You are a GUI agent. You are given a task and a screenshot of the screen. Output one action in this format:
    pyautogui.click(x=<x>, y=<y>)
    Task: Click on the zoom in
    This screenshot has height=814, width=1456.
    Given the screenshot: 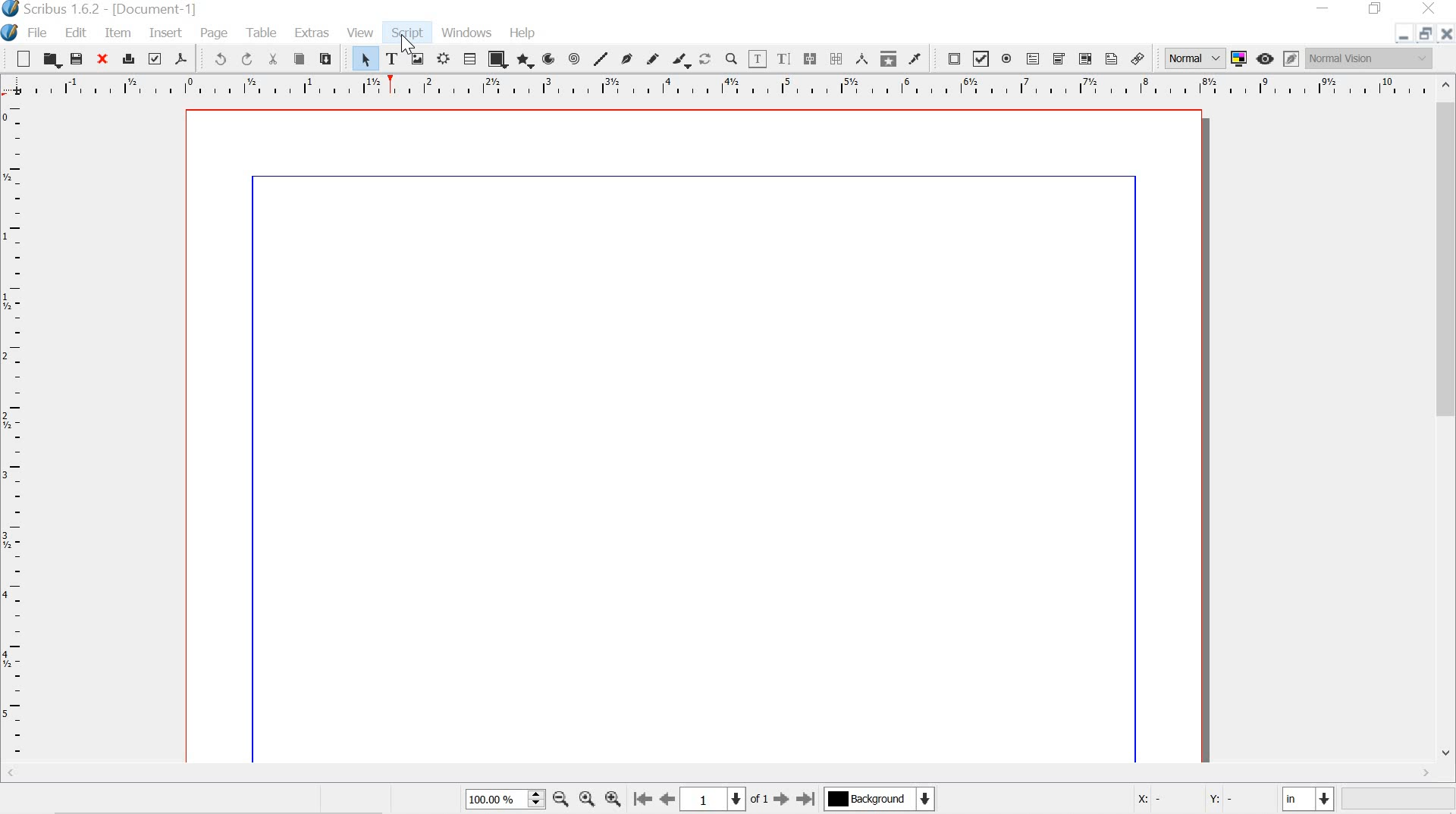 What is the action you would take?
    pyautogui.click(x=611, y=798)
    